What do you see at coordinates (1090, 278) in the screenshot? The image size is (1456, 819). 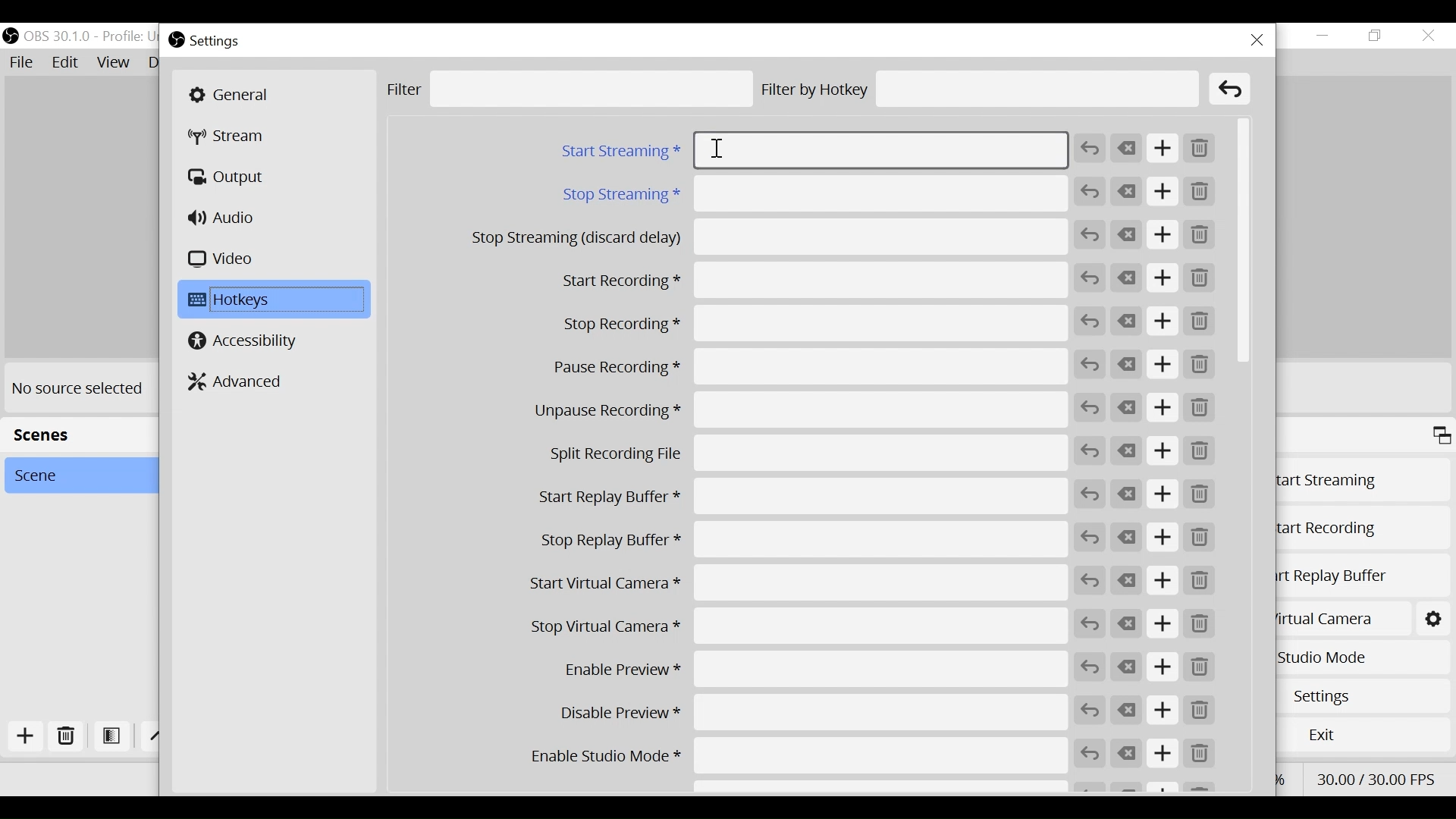 I see `Revert` at bounding box center [1090, 278].